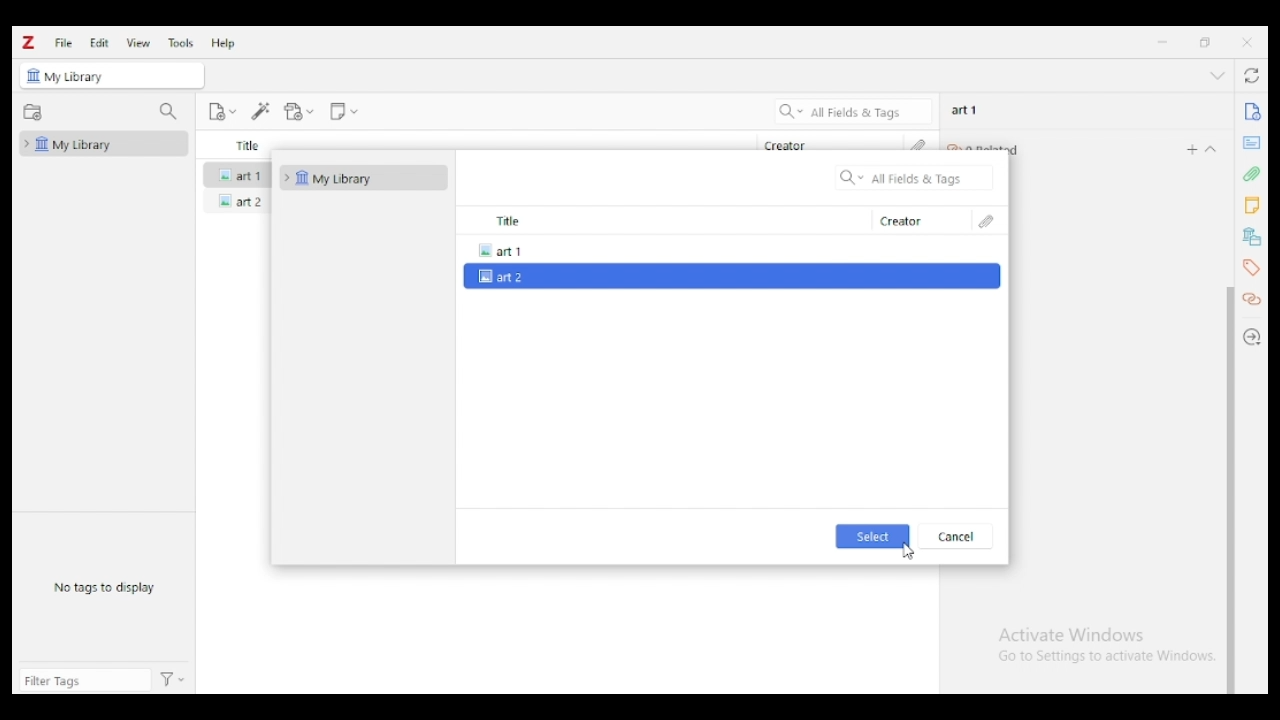 This screenshot has height=720, width=1280. Describe the element at coordinates (104, 143) in the screenshot. I see `my library` at that location.